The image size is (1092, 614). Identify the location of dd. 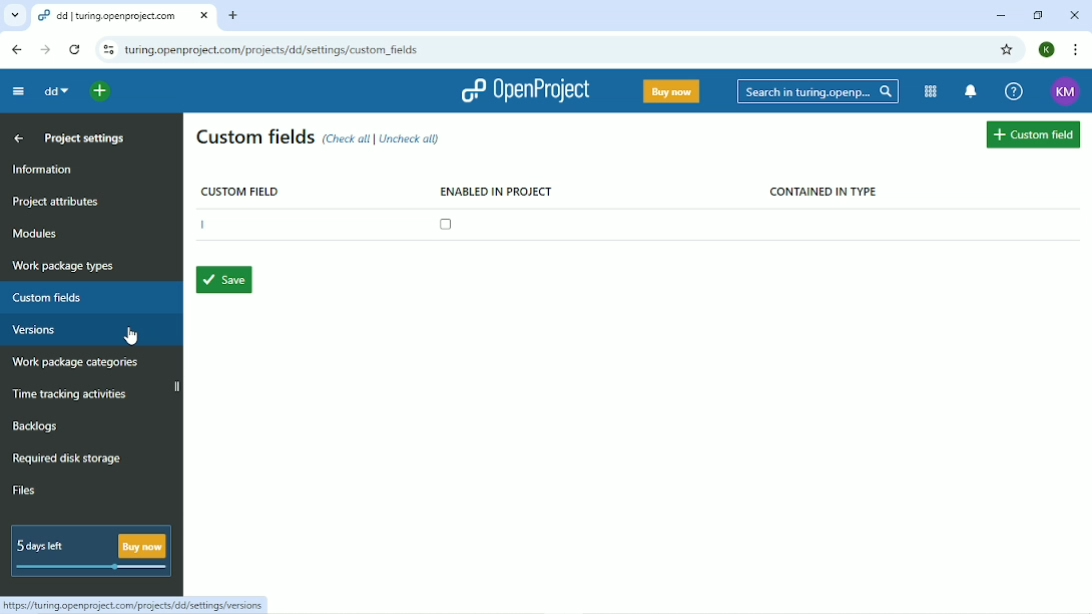
(55, 91).